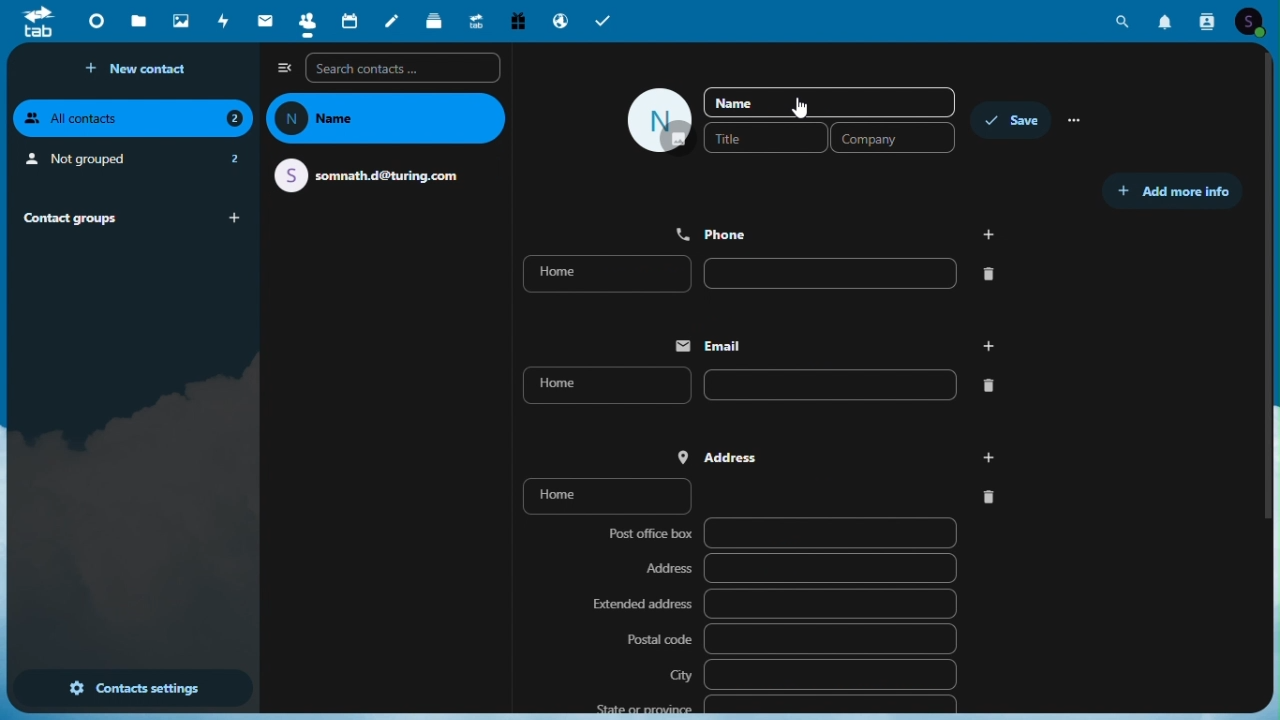 This screenshot has height=720, width=1280. I want to click on Tasks, so click(605, 20).